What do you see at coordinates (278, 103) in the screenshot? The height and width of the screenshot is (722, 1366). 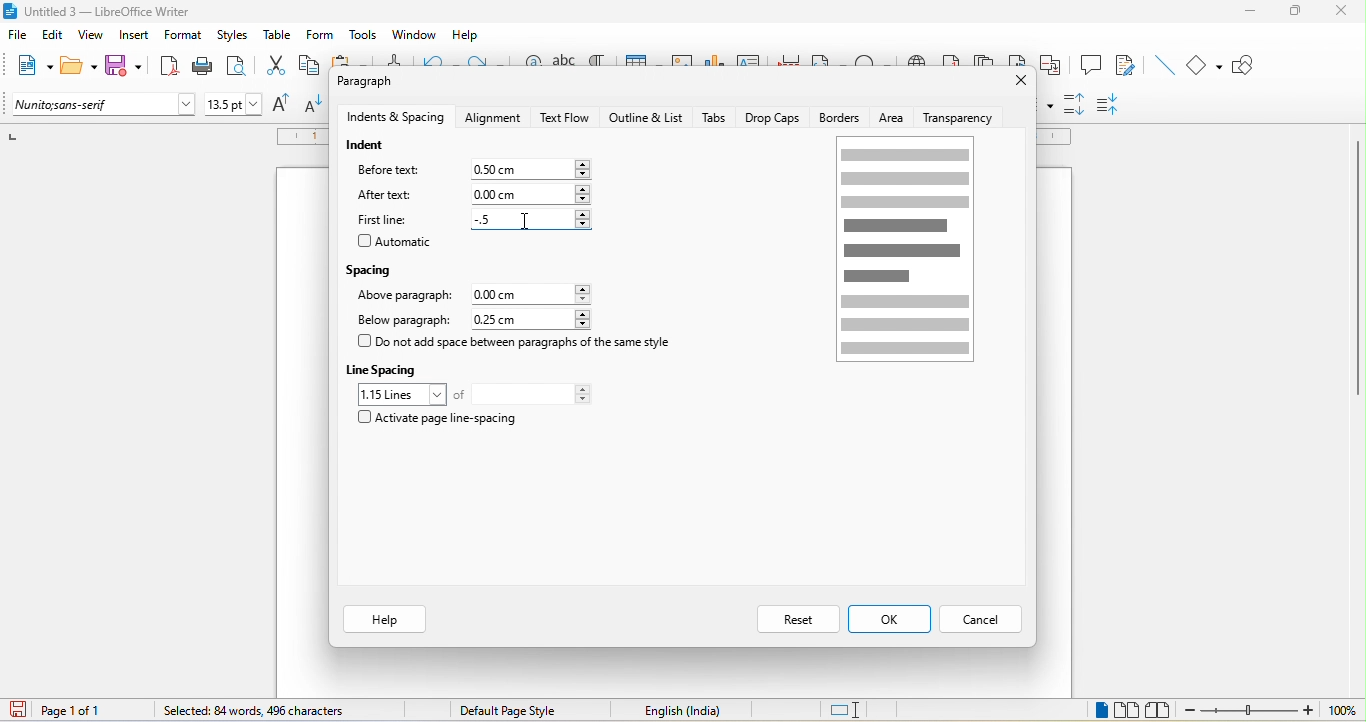 I see `increase size` at bounding box center [278, 103].